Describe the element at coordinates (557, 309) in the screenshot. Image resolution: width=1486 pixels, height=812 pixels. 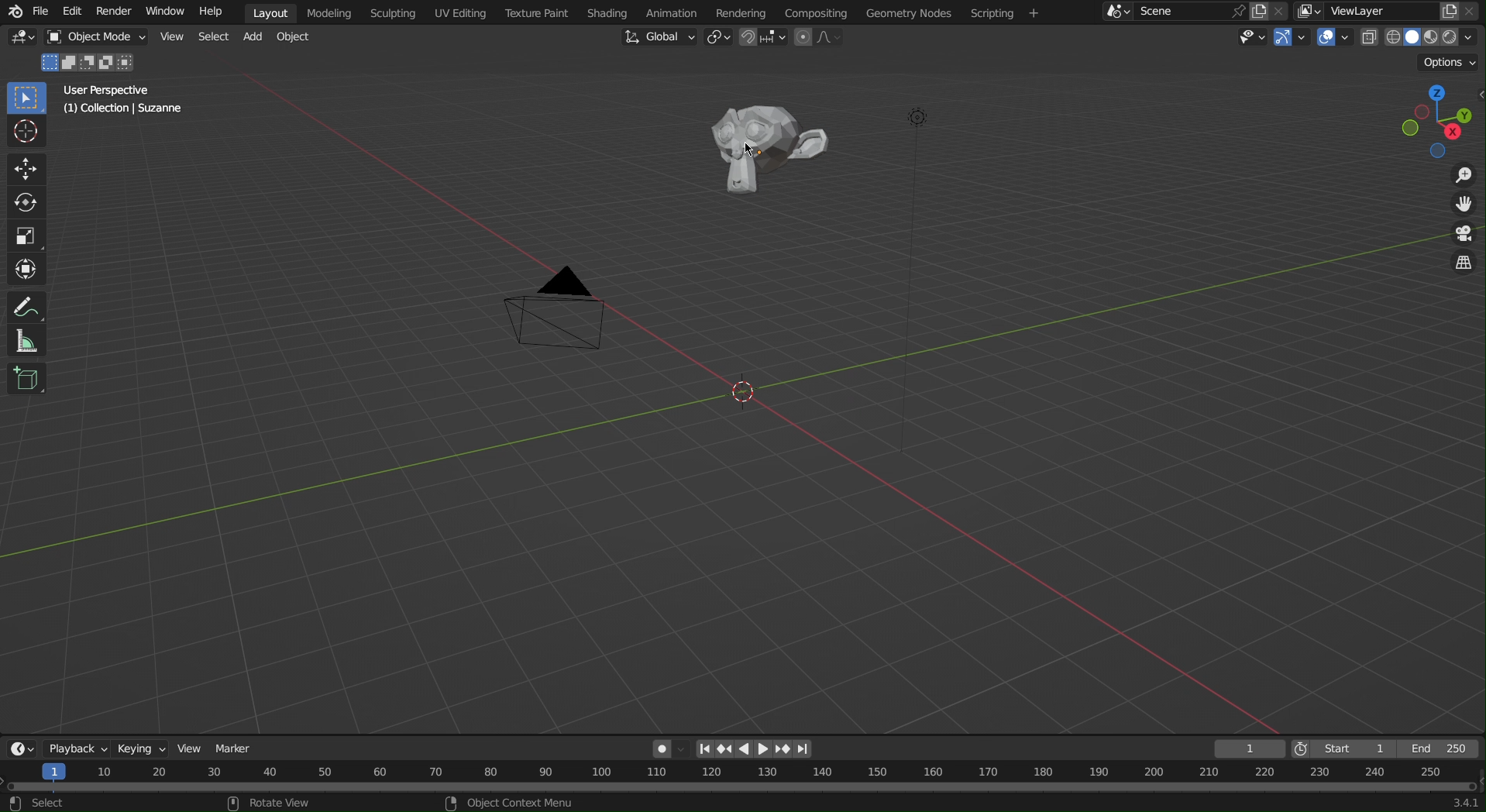
I see `Camera` at that location.